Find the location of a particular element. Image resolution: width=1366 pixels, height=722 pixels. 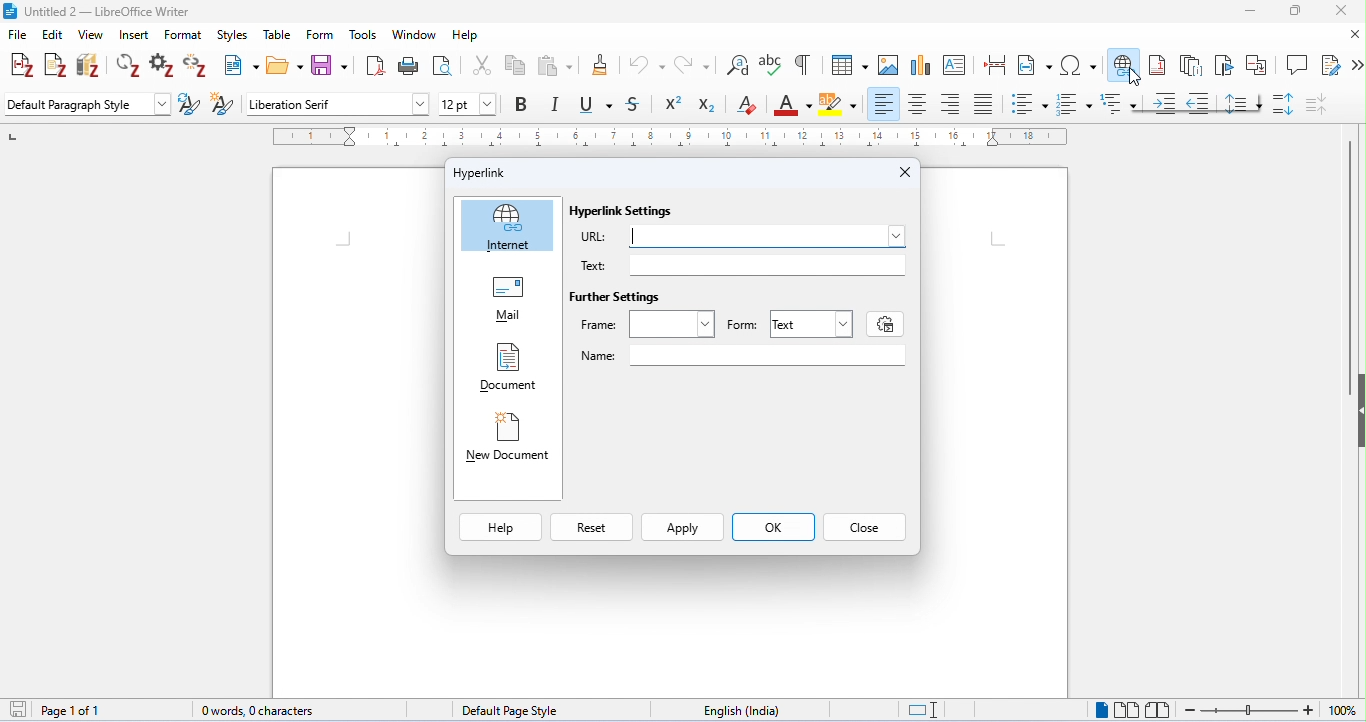

redo is located at coordinates (692, 65).